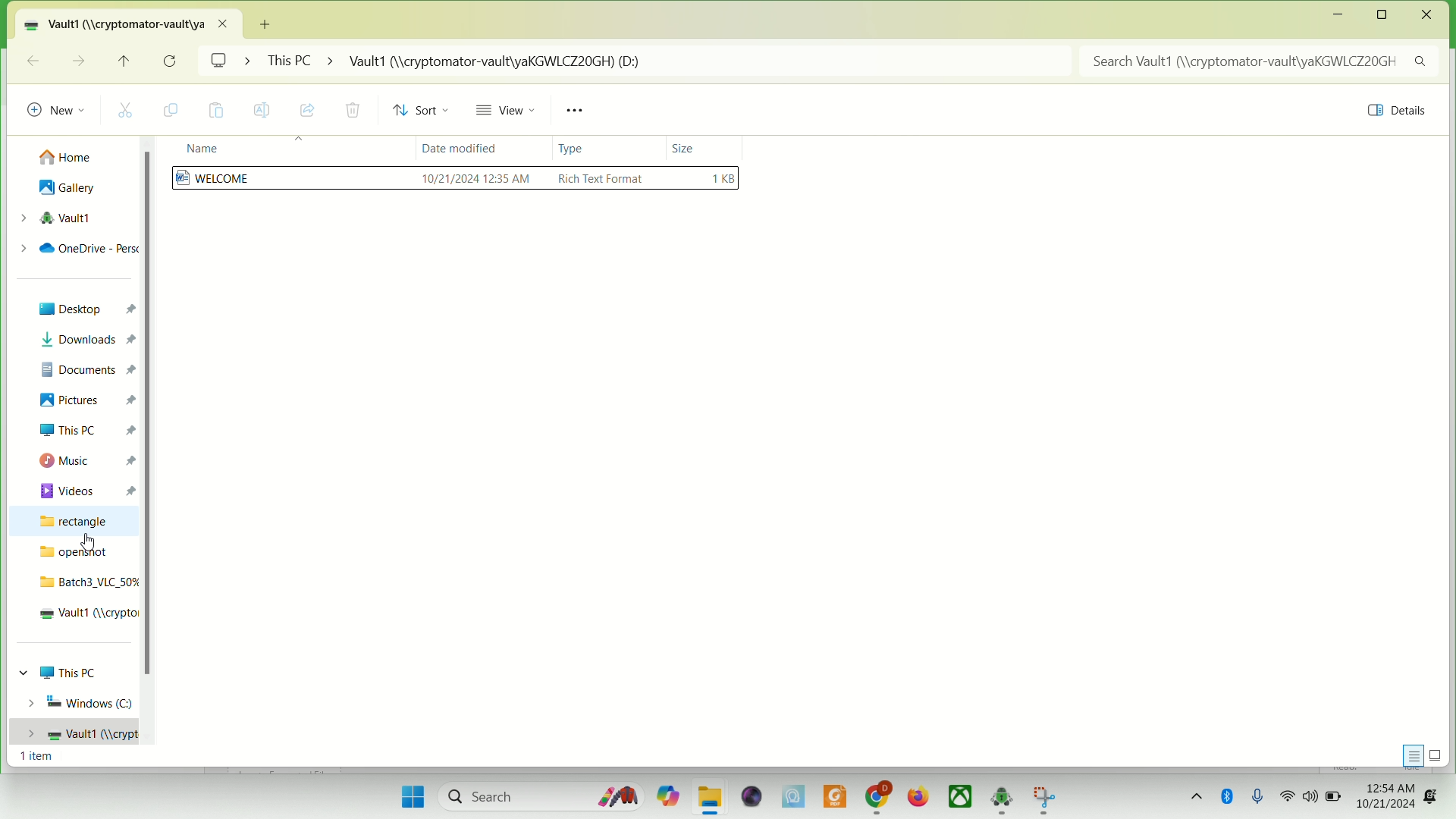  I want to click on videos, so click(86, 488).